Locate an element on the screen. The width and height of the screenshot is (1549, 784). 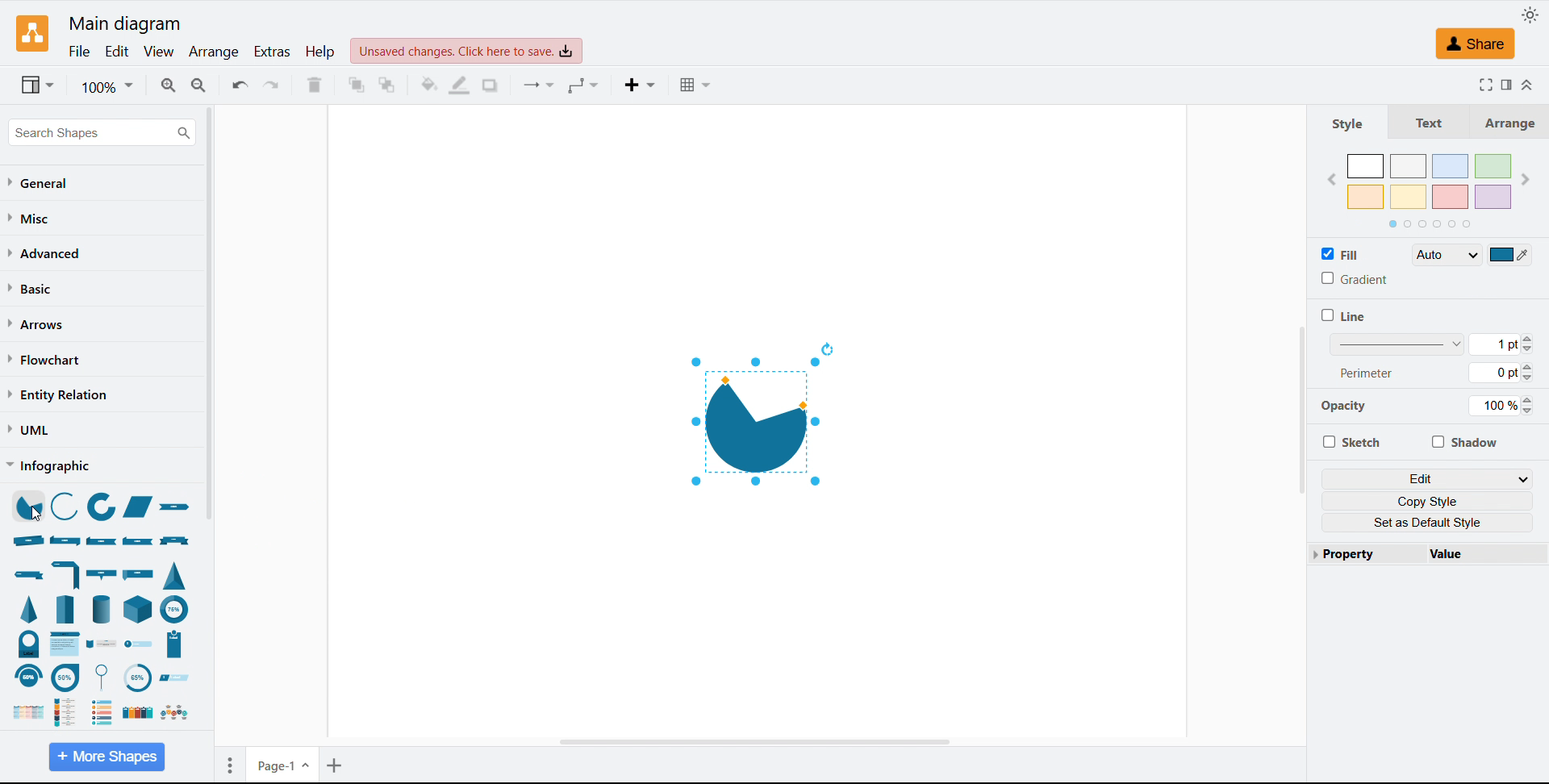
horizontal scroll bar is located at coordinates (759, 741).